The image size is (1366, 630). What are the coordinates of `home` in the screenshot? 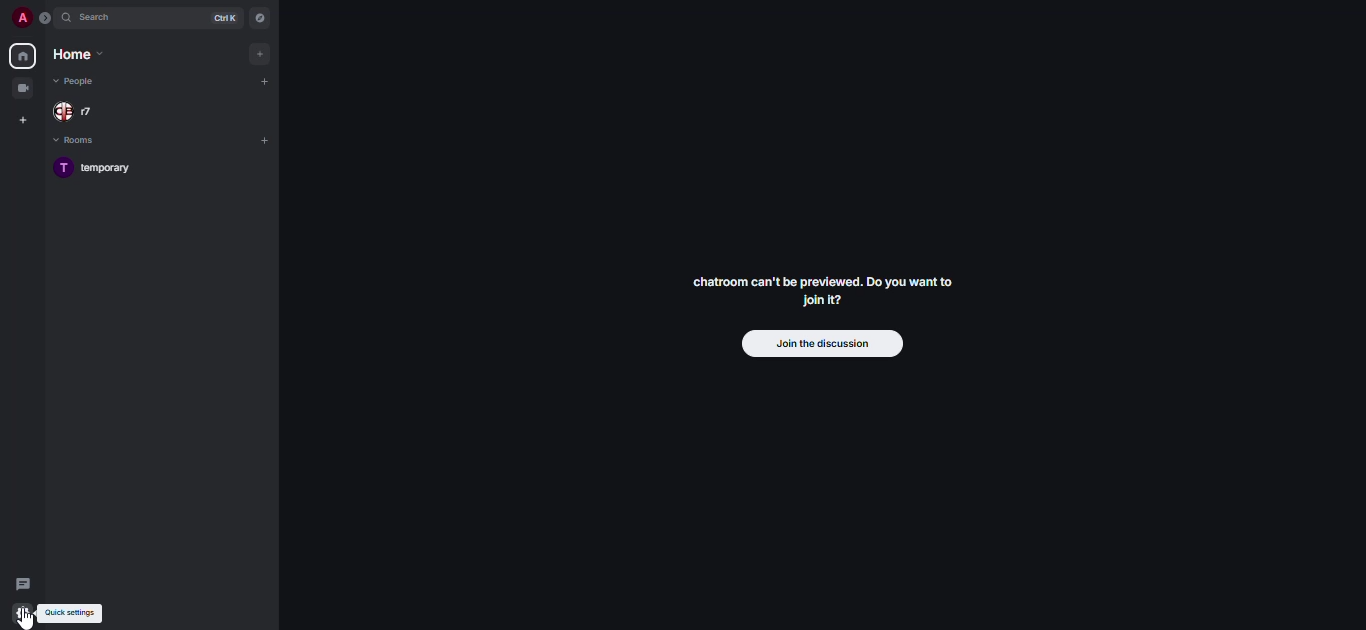 It's located at (78, 57).